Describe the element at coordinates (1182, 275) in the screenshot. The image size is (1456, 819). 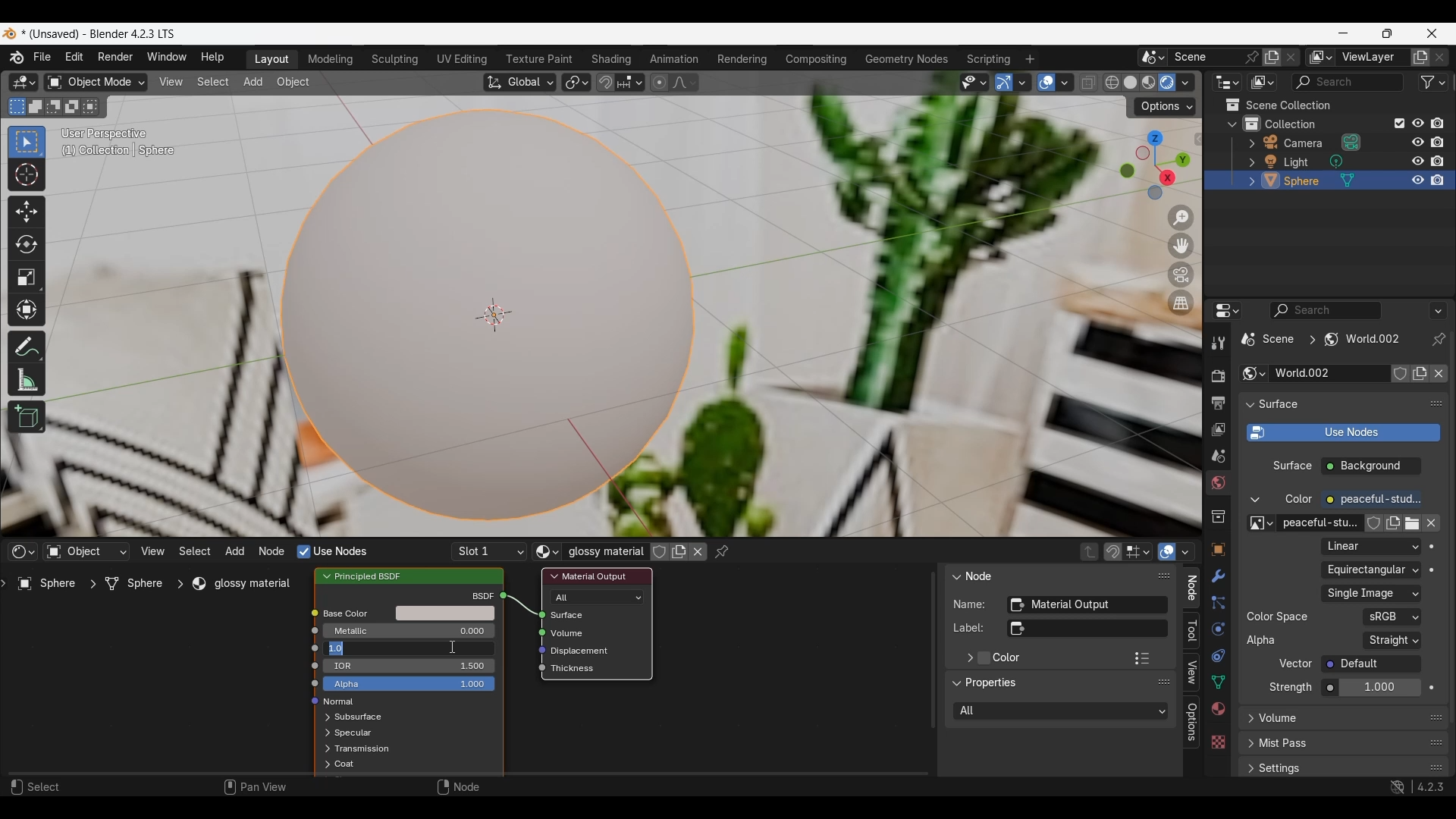
I see `Toggle the camera view` at that location.